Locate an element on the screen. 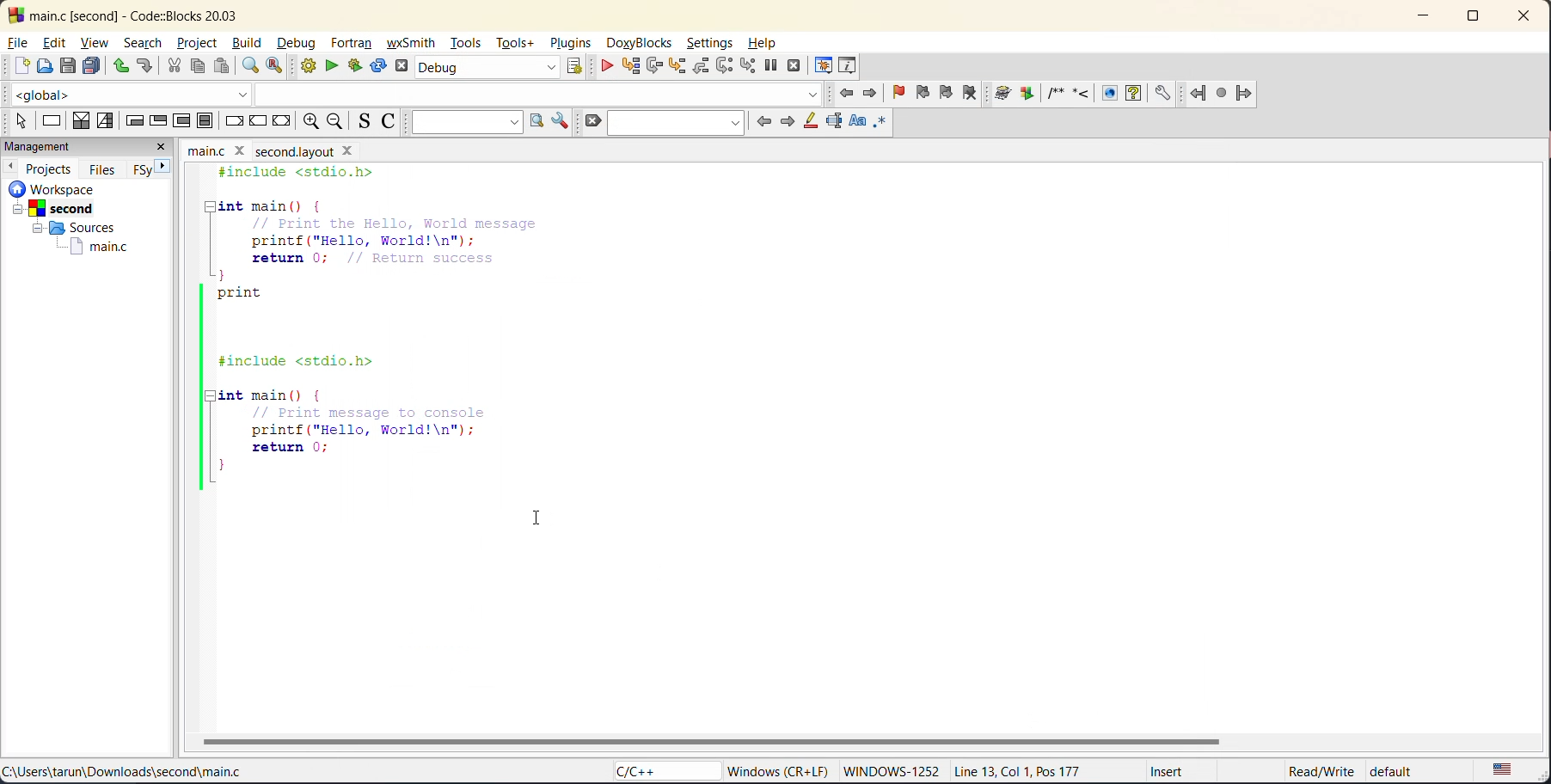  clear bookmark is located at coordinates (977, 95).